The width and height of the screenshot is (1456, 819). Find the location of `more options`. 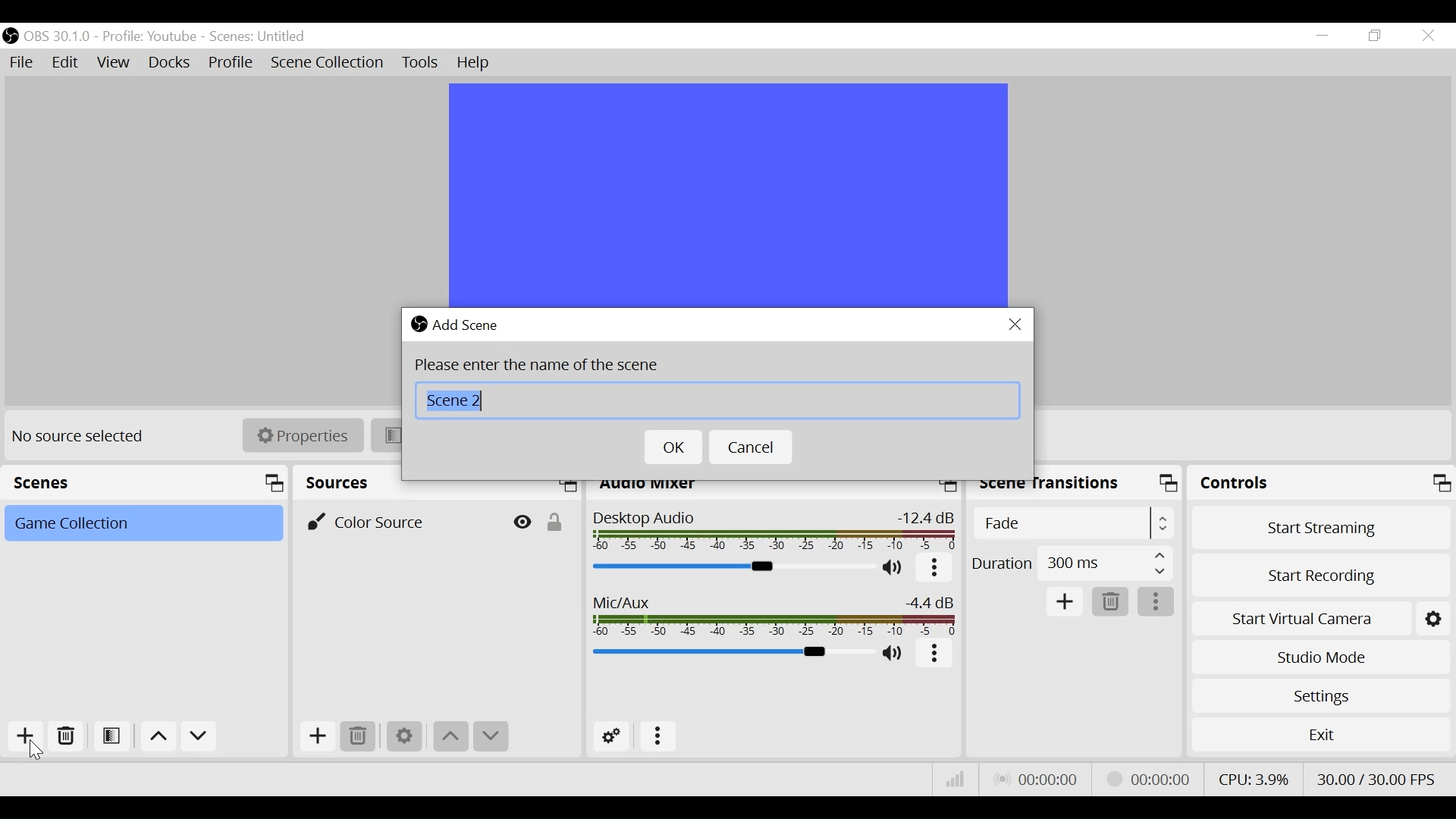

more options is located at coordinates (934, 570).